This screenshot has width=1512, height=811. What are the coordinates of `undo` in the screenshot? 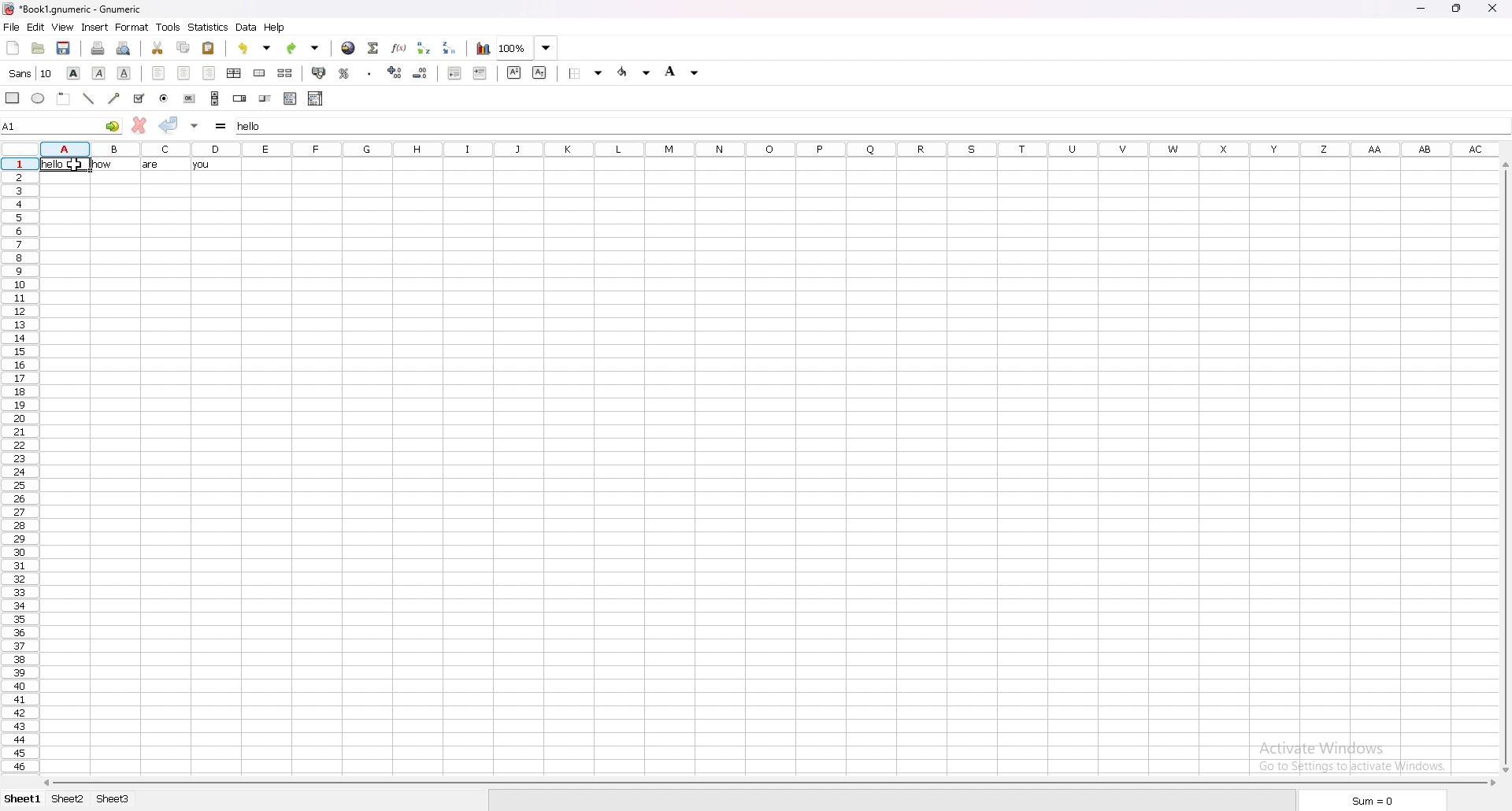 It's located at (257, 48).